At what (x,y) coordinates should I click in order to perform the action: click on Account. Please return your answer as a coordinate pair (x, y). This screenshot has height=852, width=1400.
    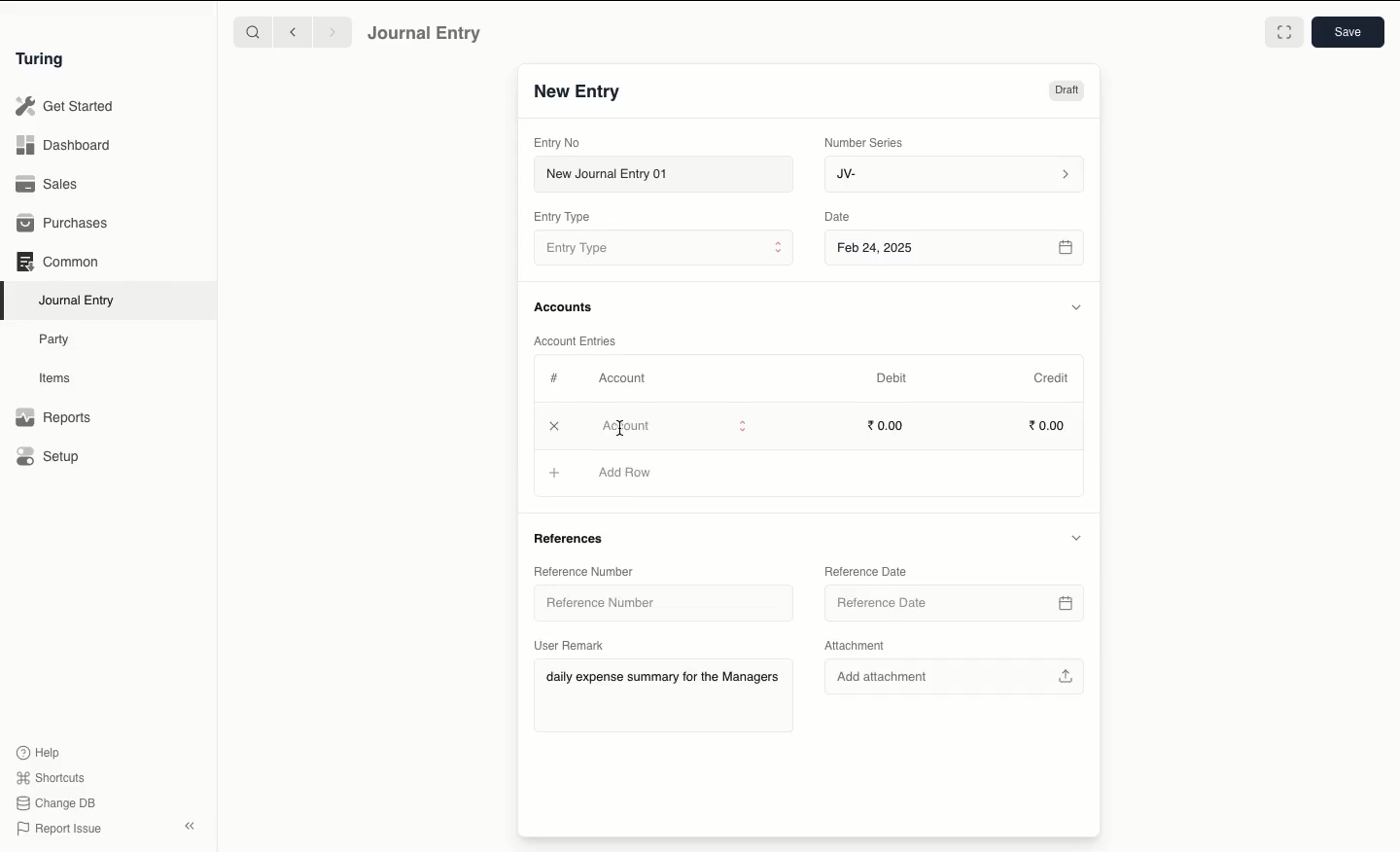
    Looking at the image, I should click on (623, 378).